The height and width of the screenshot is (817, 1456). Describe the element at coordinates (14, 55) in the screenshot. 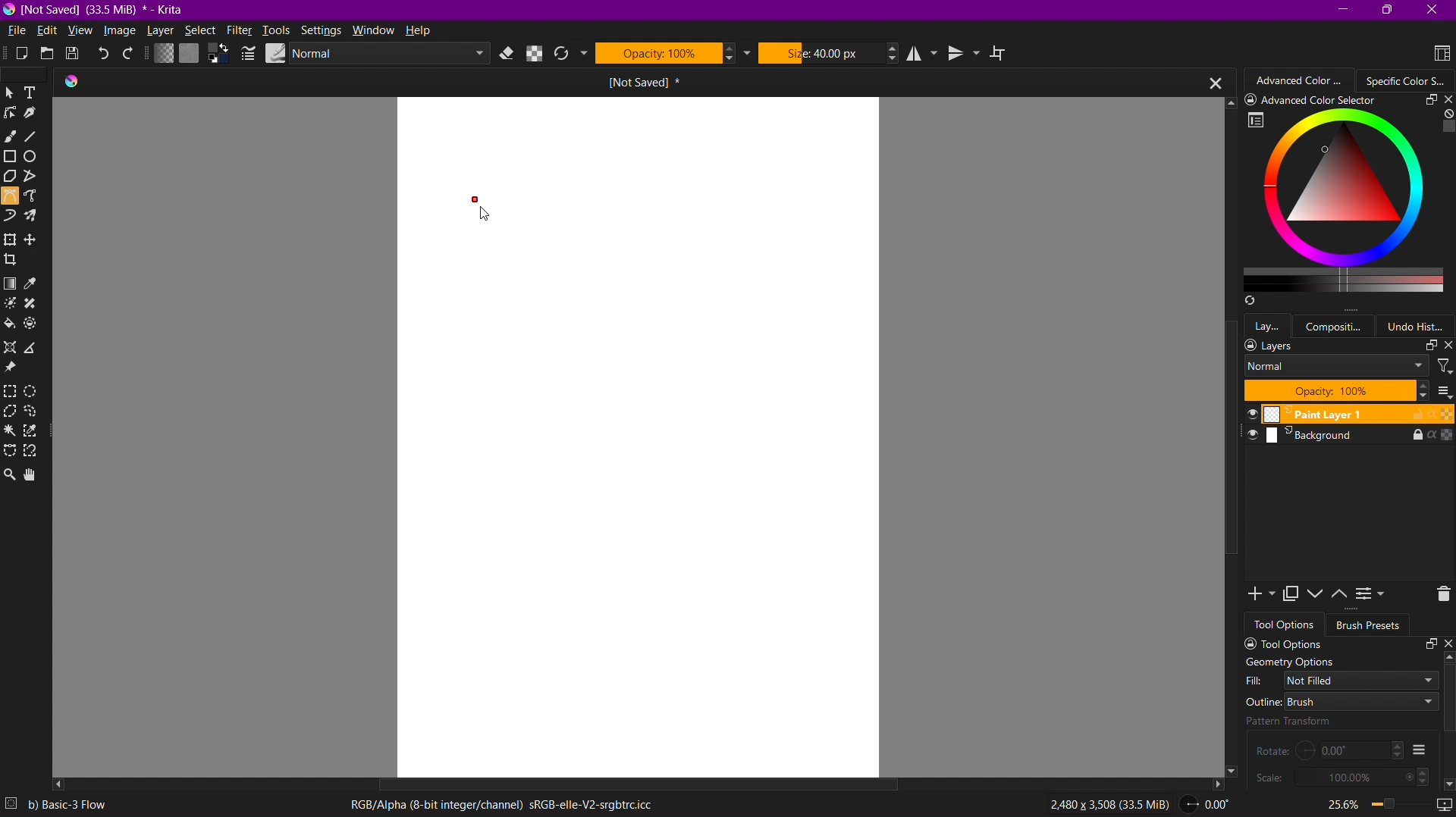

I see `New` at that location.